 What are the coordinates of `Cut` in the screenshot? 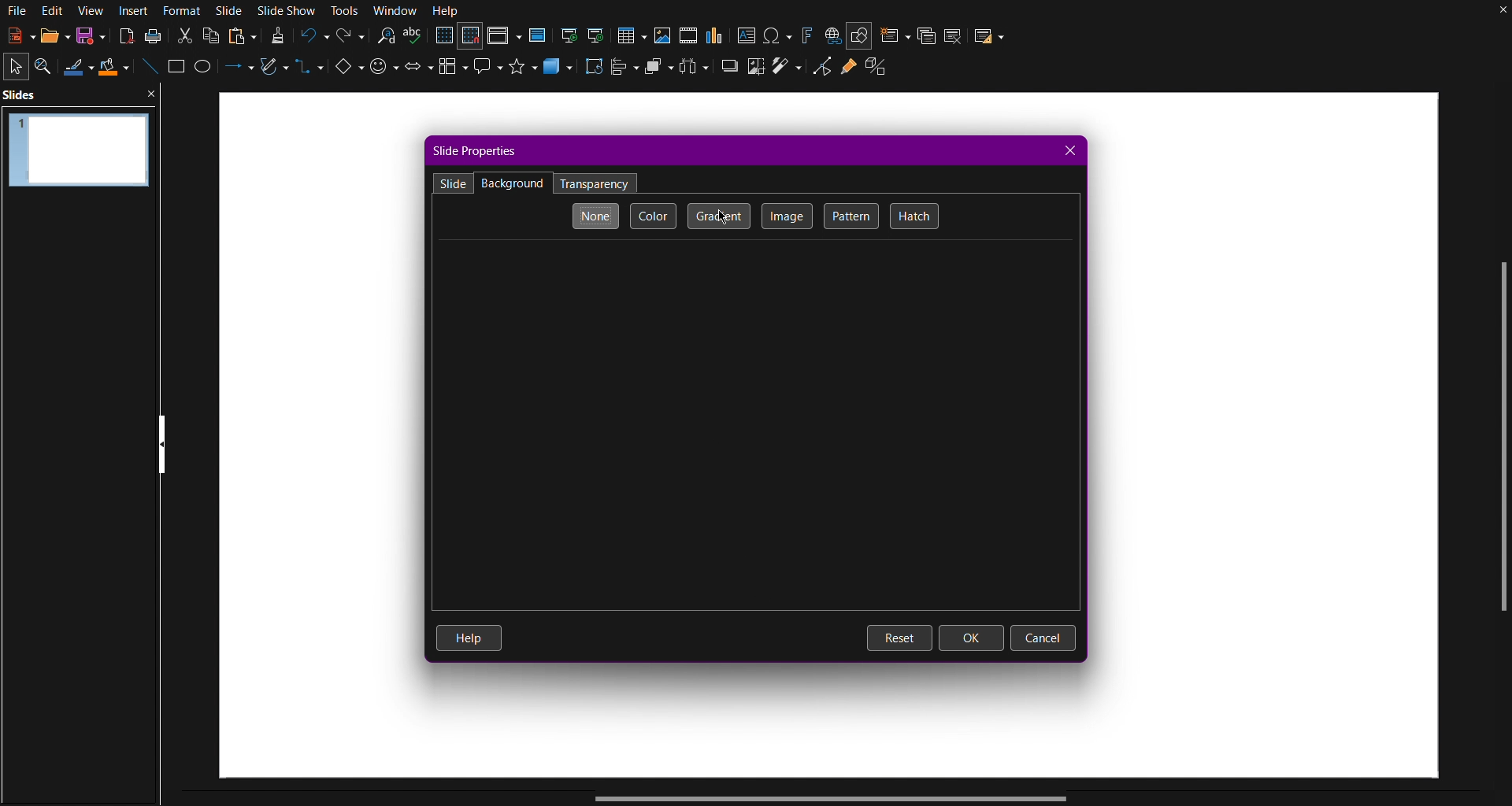 It's located at (183, 35).